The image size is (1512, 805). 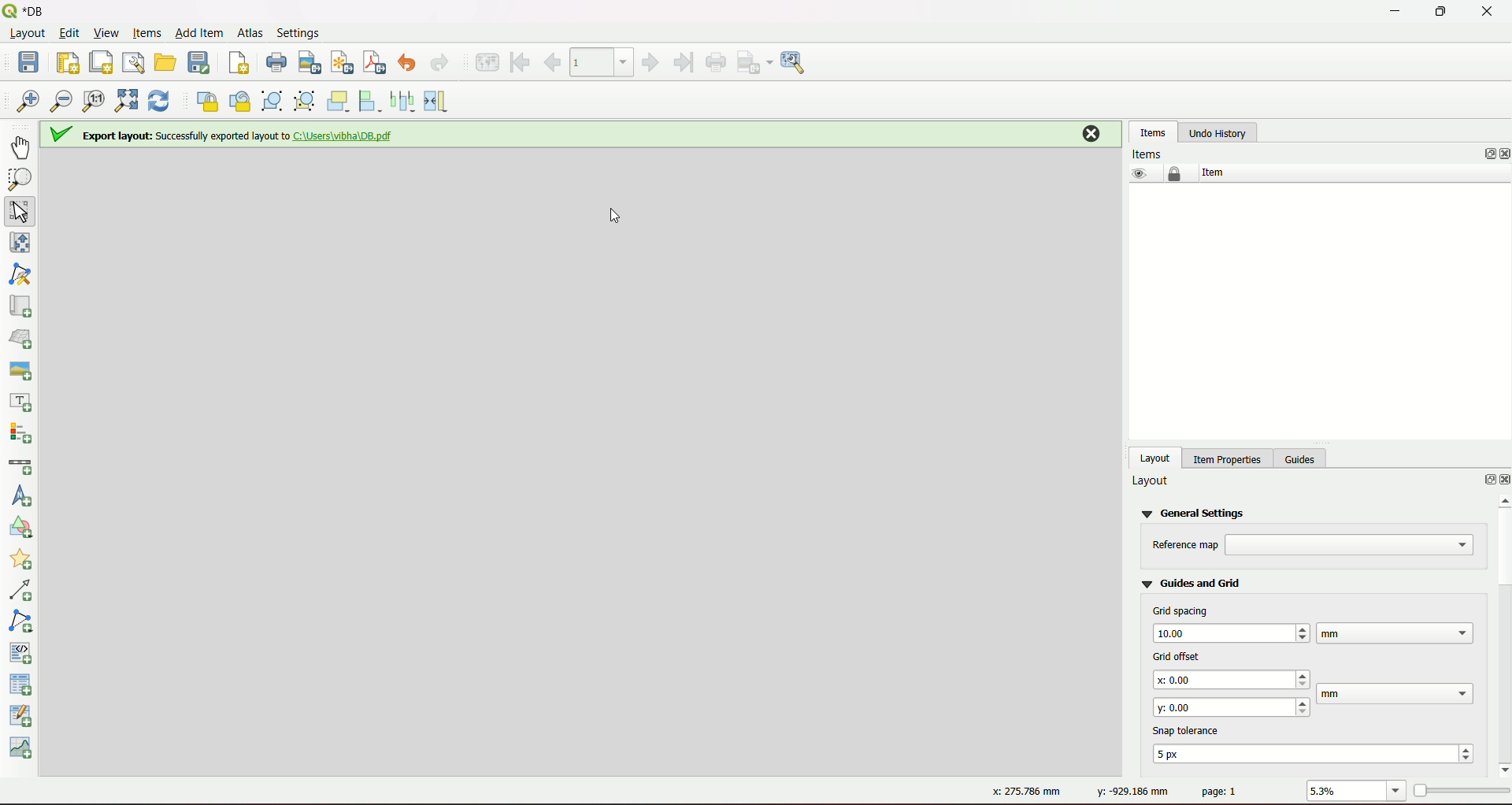 What do you see at coordinates (405, 100) in the screenshot?
I see `distributes left edges` at bounding box center [405, 100].